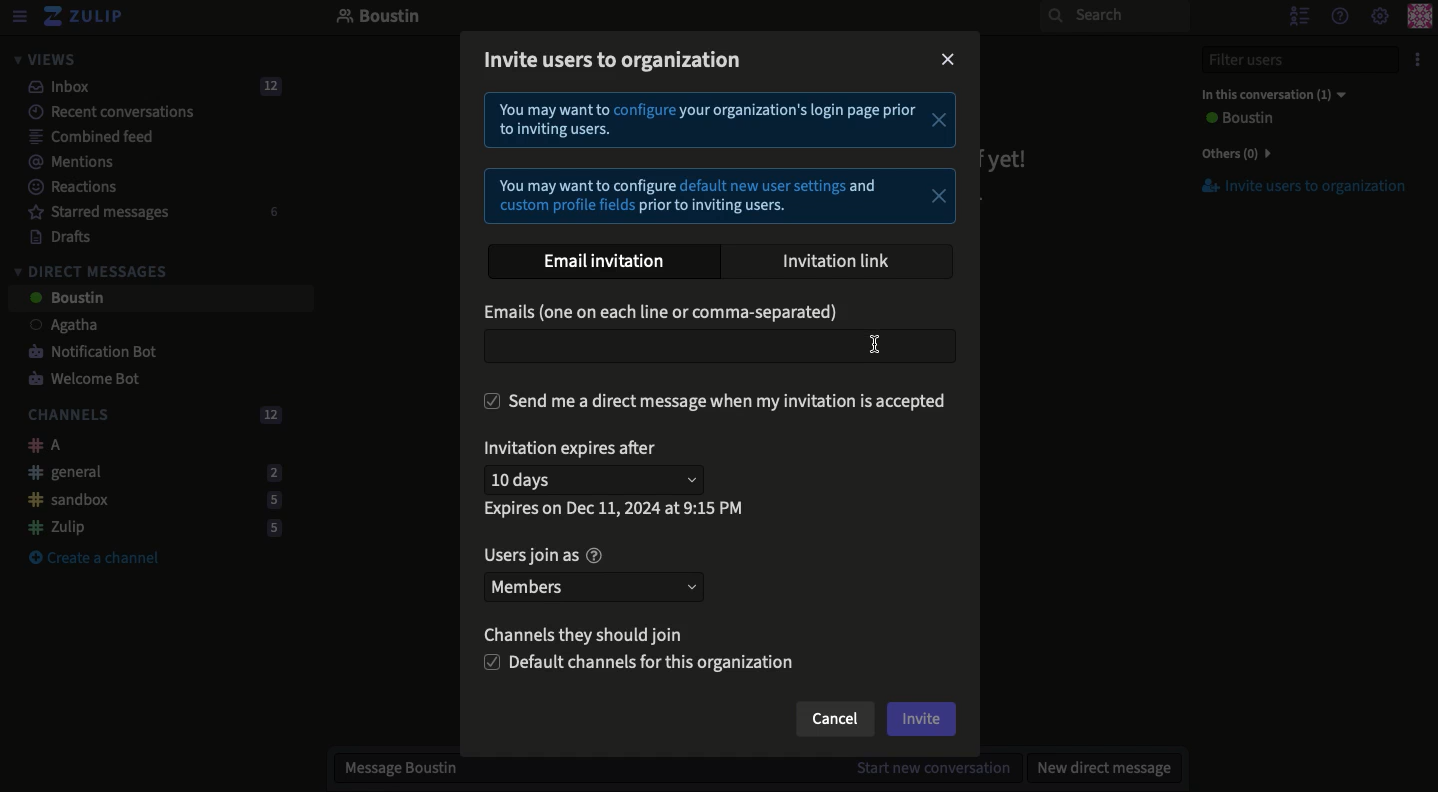  Describe the element at coordinates (666, 314) in the screenshot. I see `Email ` at that location.